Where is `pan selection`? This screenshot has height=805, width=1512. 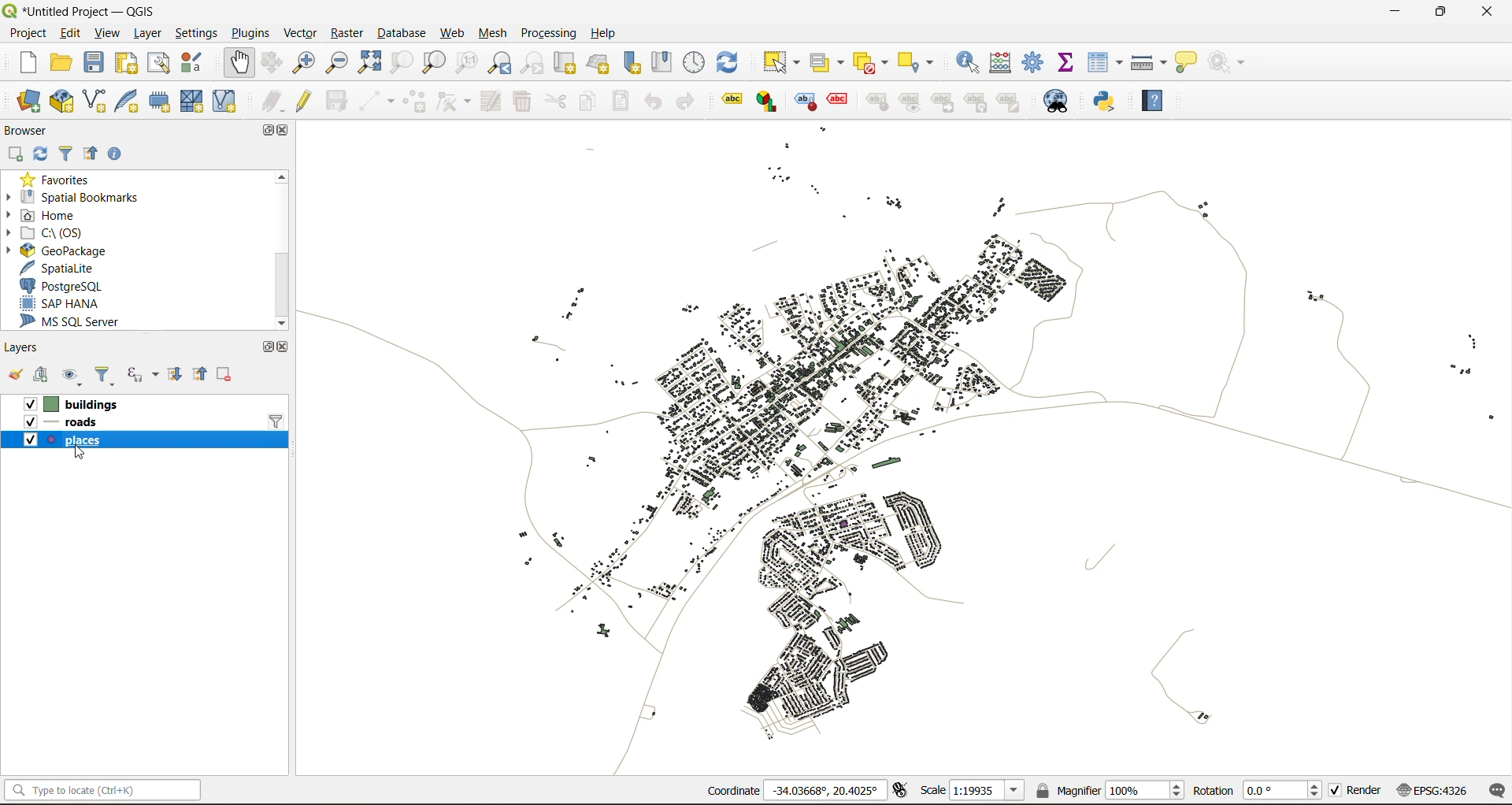
pan selection is located at coordinates (274, 62).